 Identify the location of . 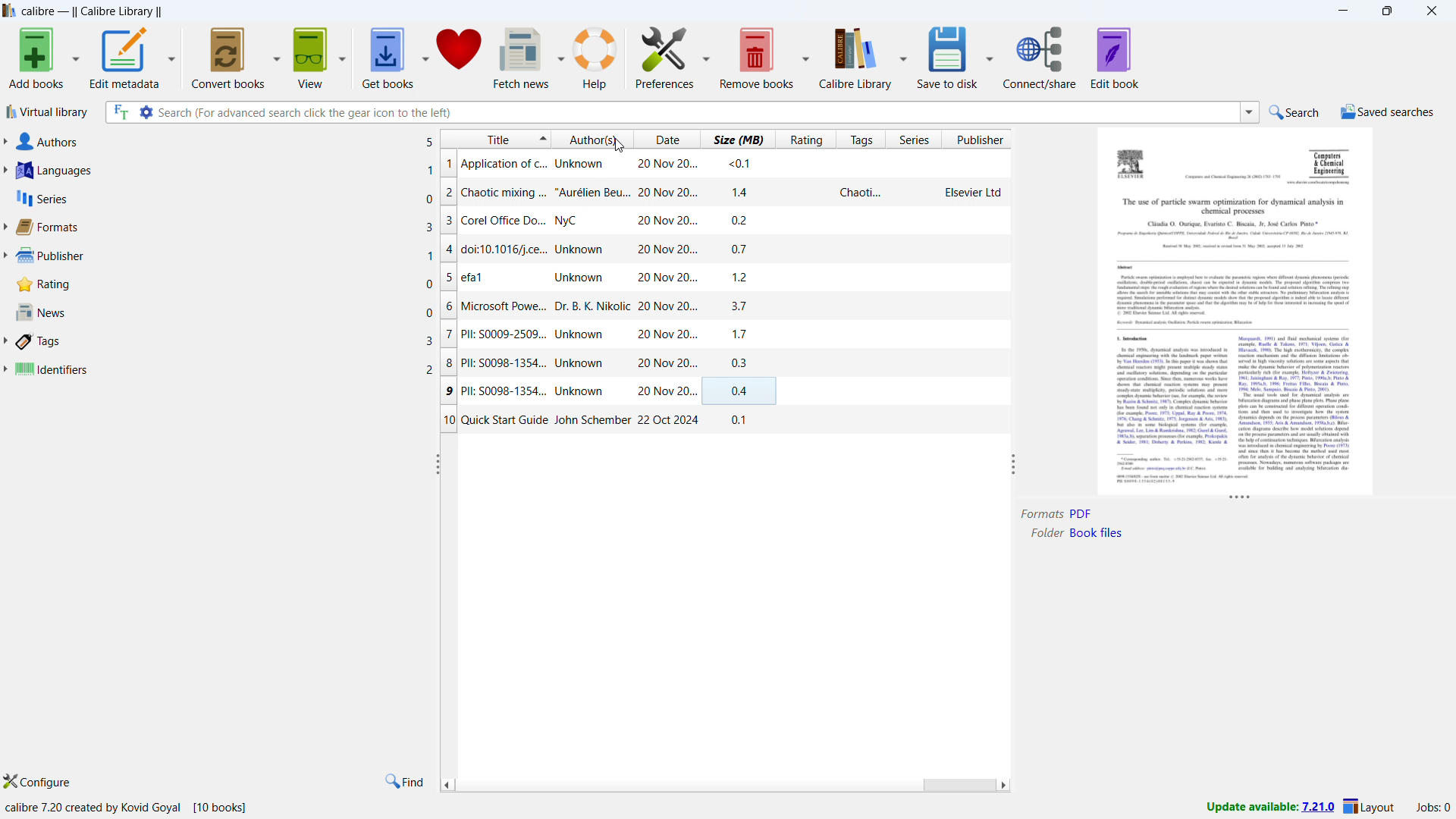
(1237, 243).